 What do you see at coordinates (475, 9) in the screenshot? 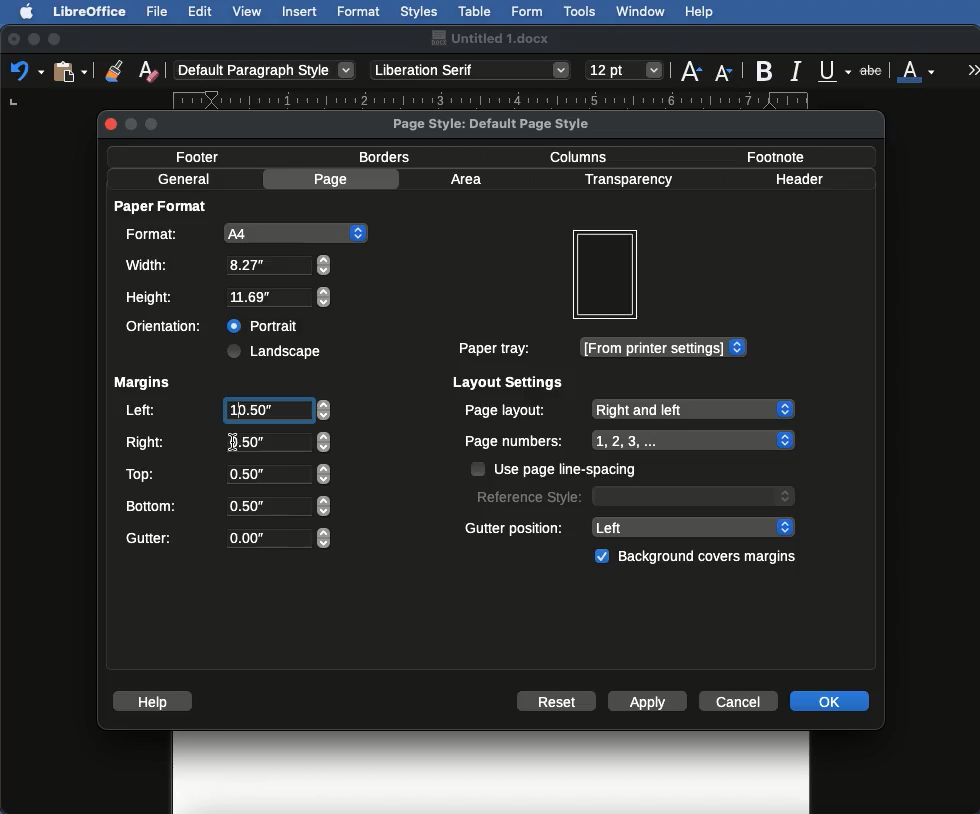
I see `Table` at bounding box center [475, 9].